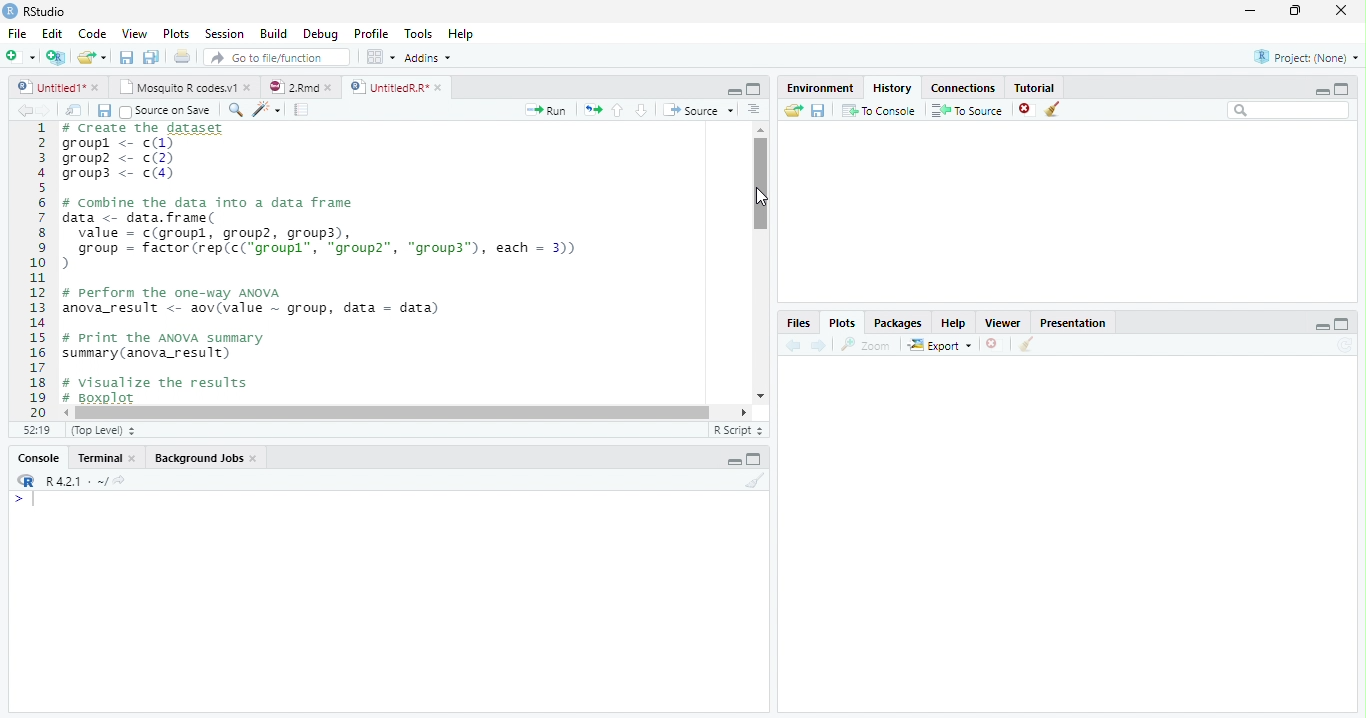 This screenshot has width=1366, height=718. What do you see at coordinates (183, 57) in the screenshot?
I see `Print  the current file` at bounding box center [183, 57].